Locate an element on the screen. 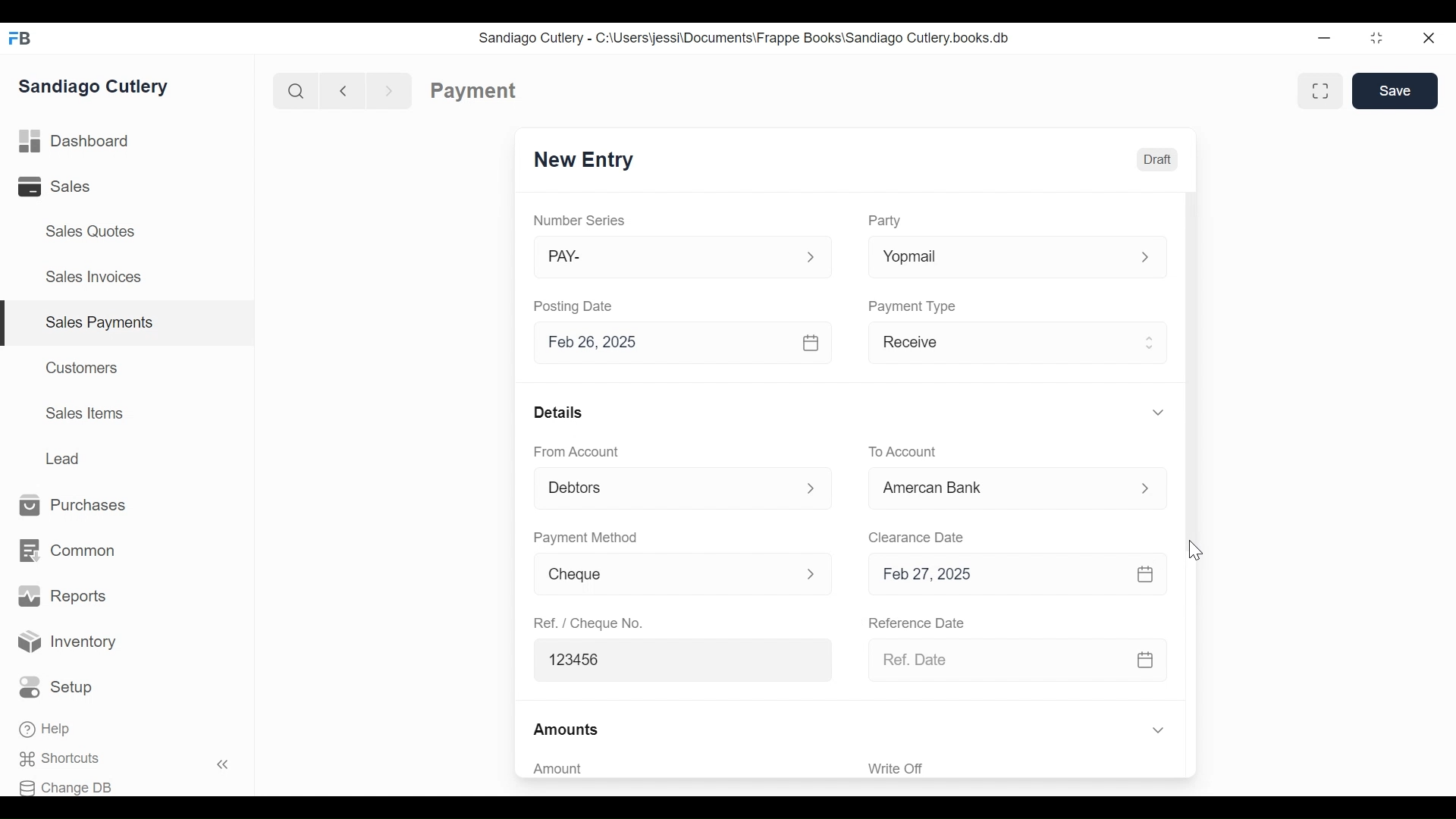 The image size is (1456, 819). Close  is located at coordinates (1430, 38).